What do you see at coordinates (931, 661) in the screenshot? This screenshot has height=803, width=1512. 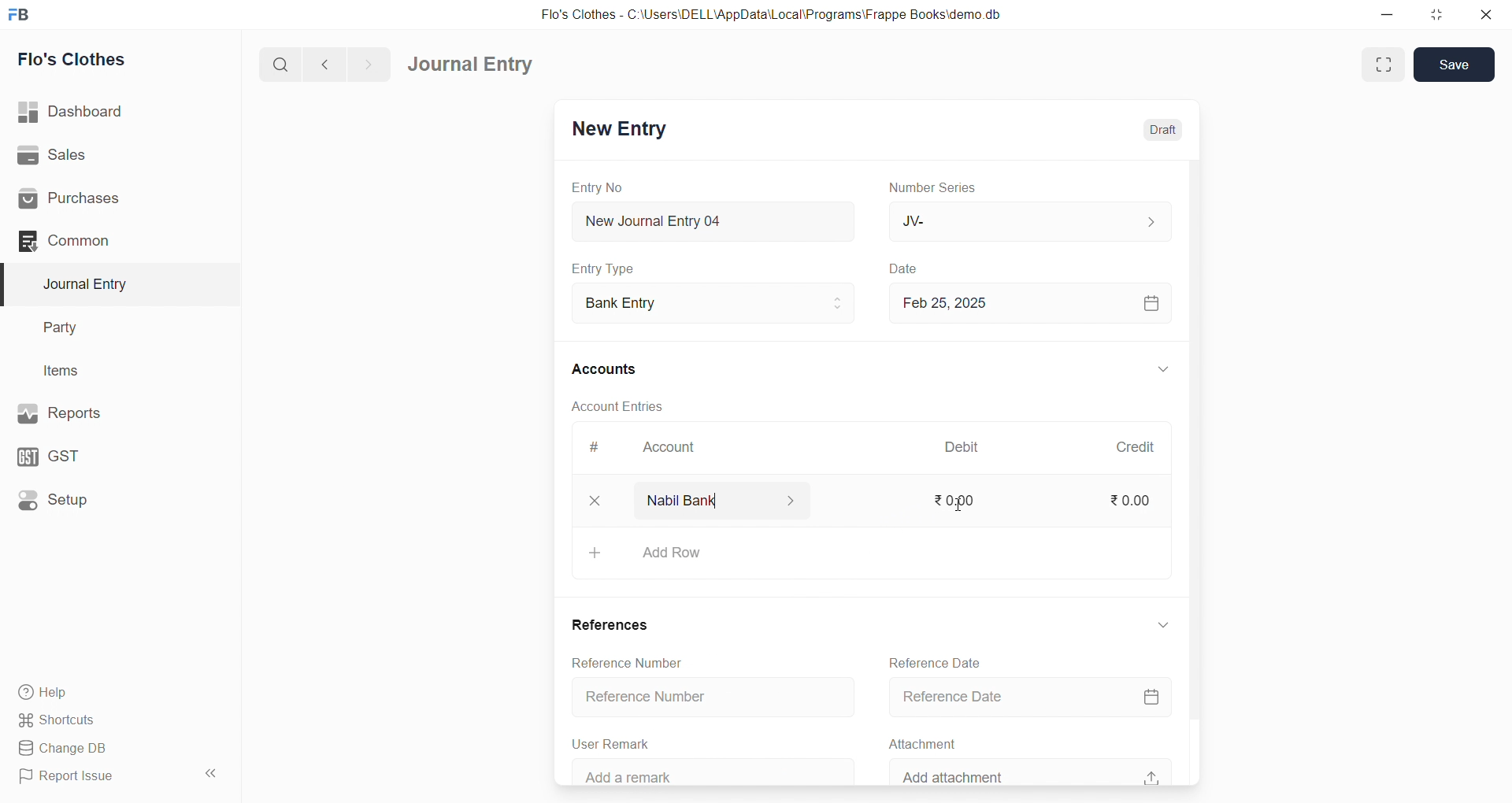 I see `Reference Date` at bounding box center [931, 661].